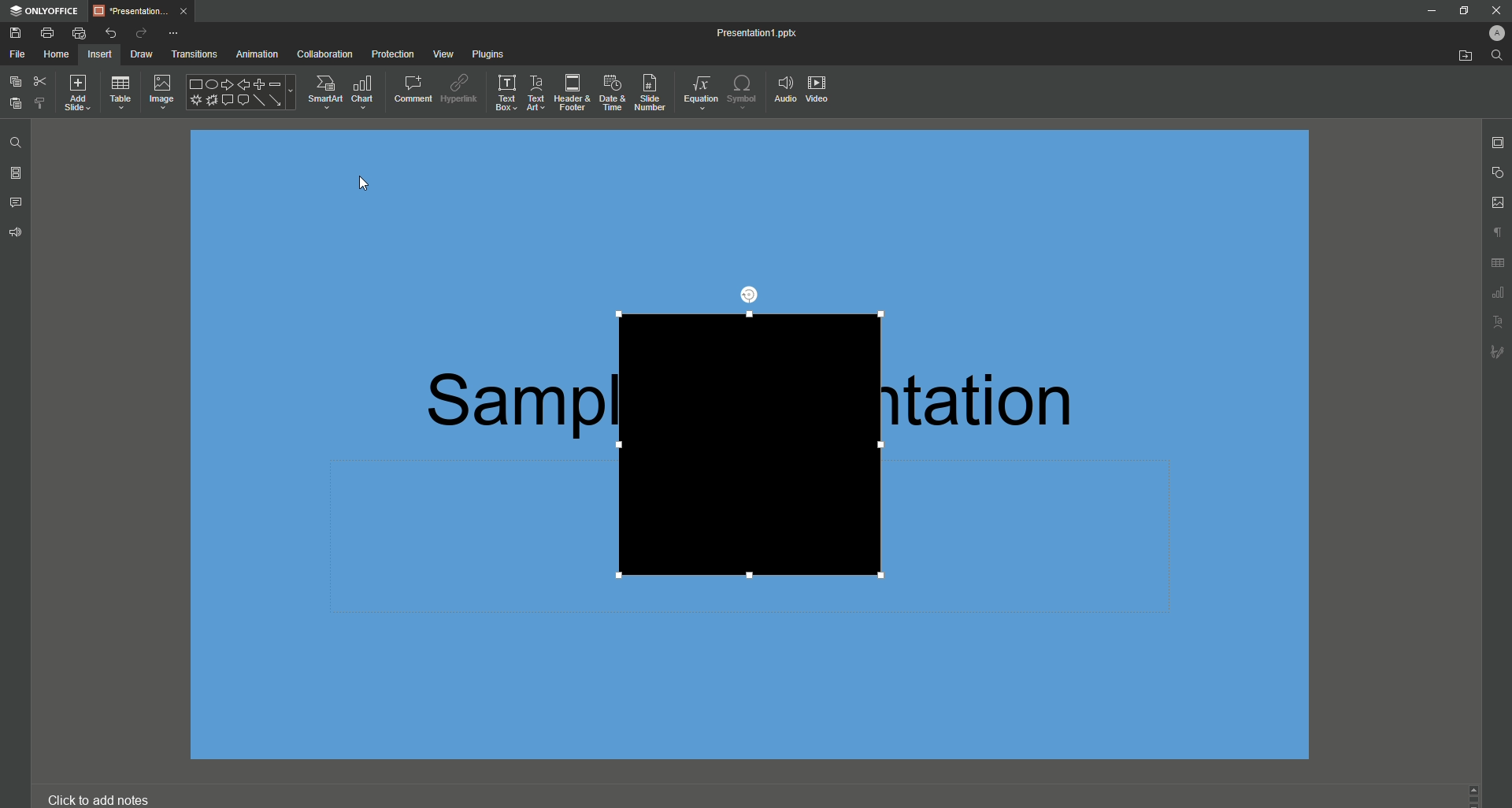 The height and width of the screenshot is (808, 1512). What do you see at coordinates (1494, 143) in the screenshot?
I see `Slide Settings` at bounding box center [1494, 143].